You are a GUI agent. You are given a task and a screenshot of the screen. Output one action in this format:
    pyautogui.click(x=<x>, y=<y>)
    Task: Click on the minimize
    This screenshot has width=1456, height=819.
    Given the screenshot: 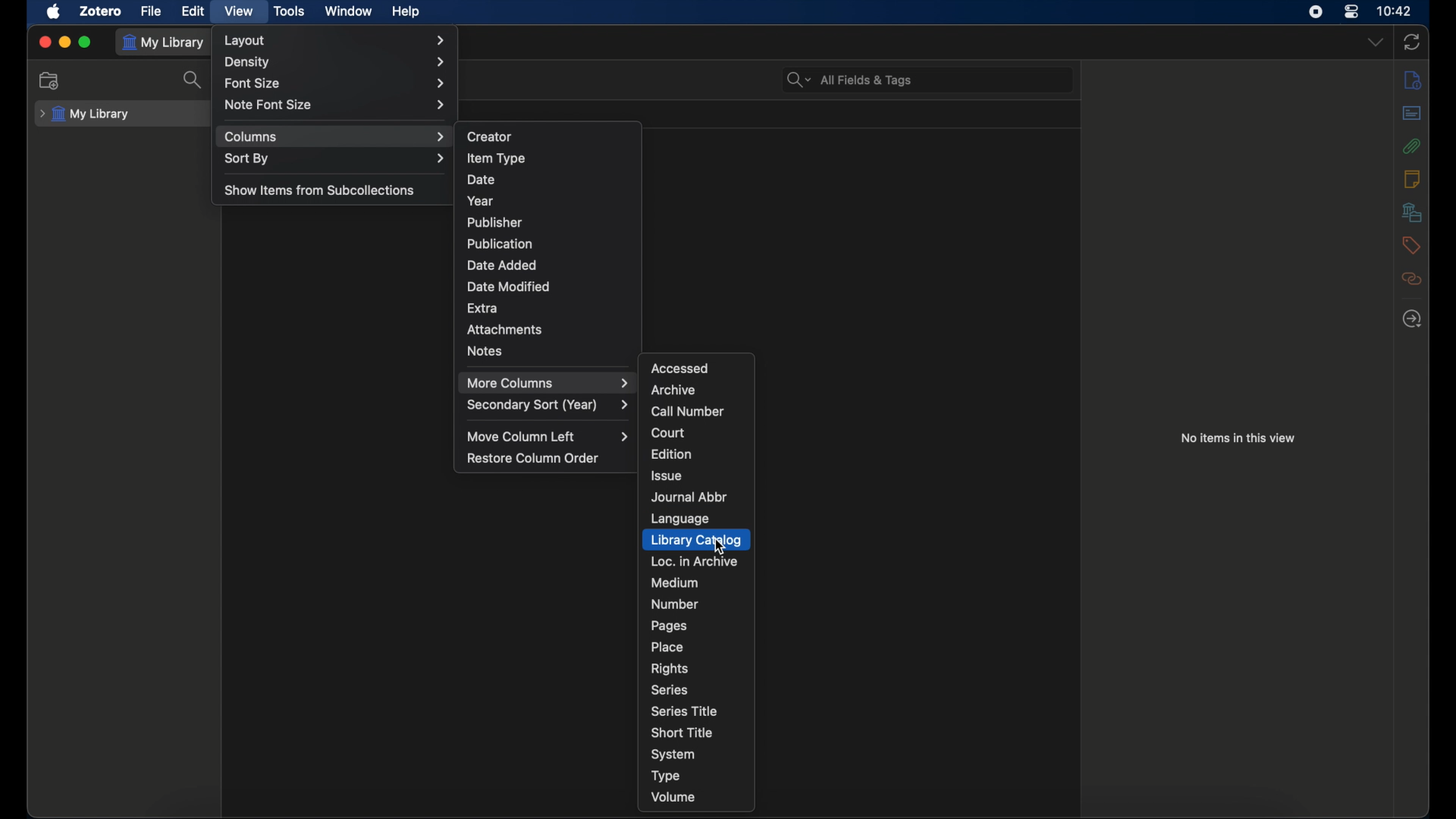 What is the action you would take?
    pyautogui.click(x=64, y=42)
    